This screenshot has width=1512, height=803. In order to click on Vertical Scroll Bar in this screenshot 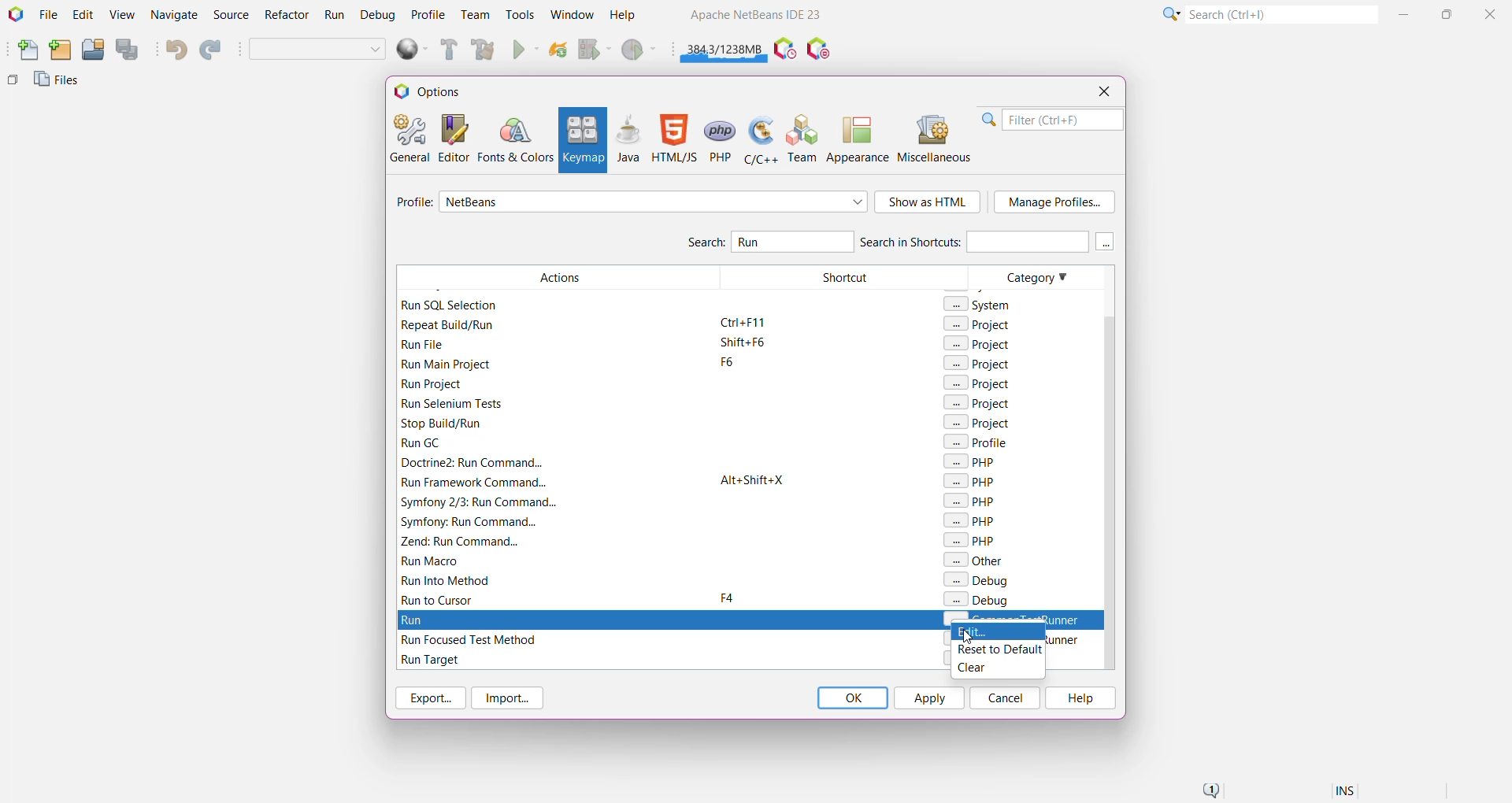, I will do `click(1106, 467)`.